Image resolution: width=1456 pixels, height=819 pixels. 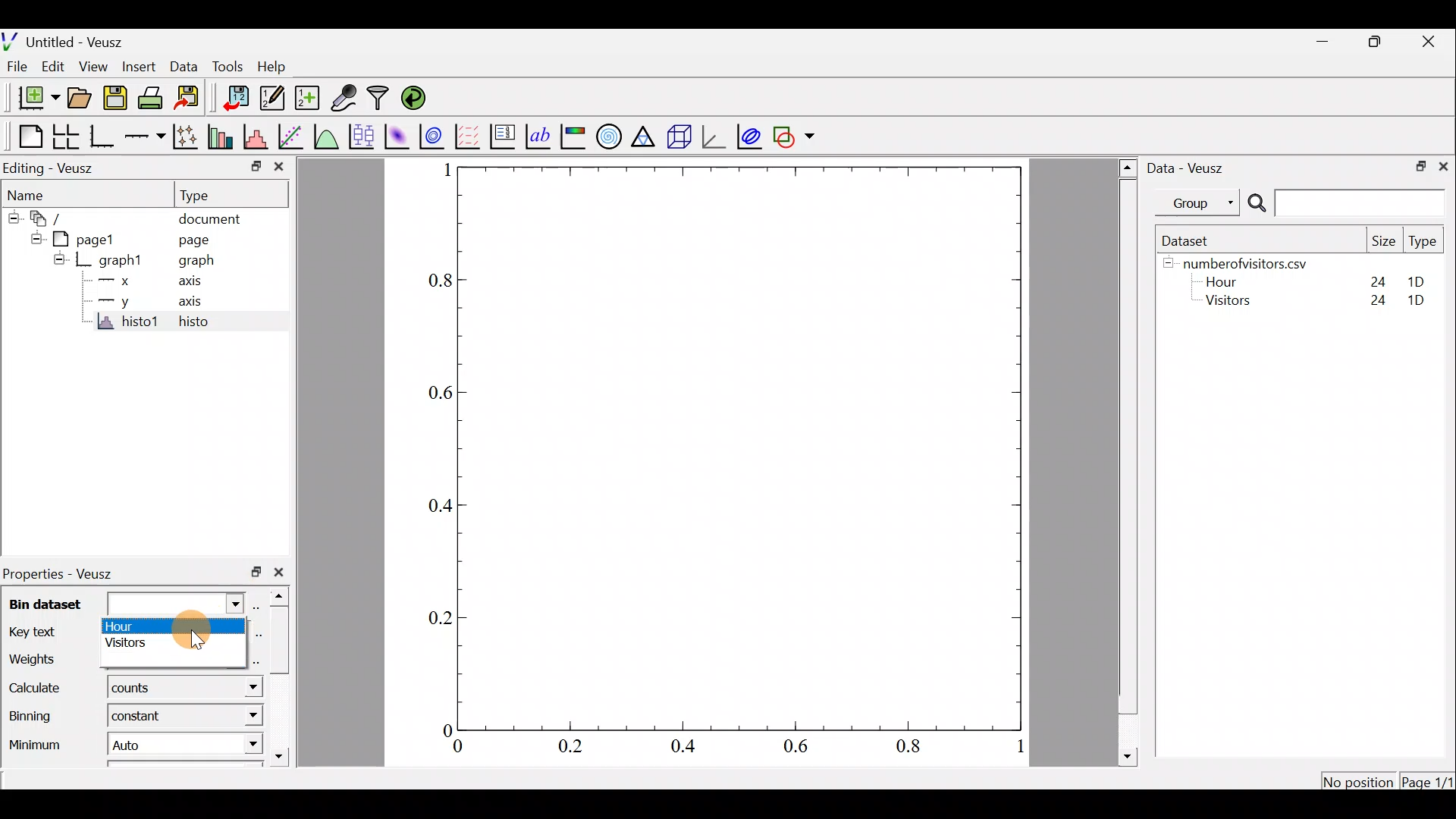 I want to click on open a document, so click(x=78, y=98).